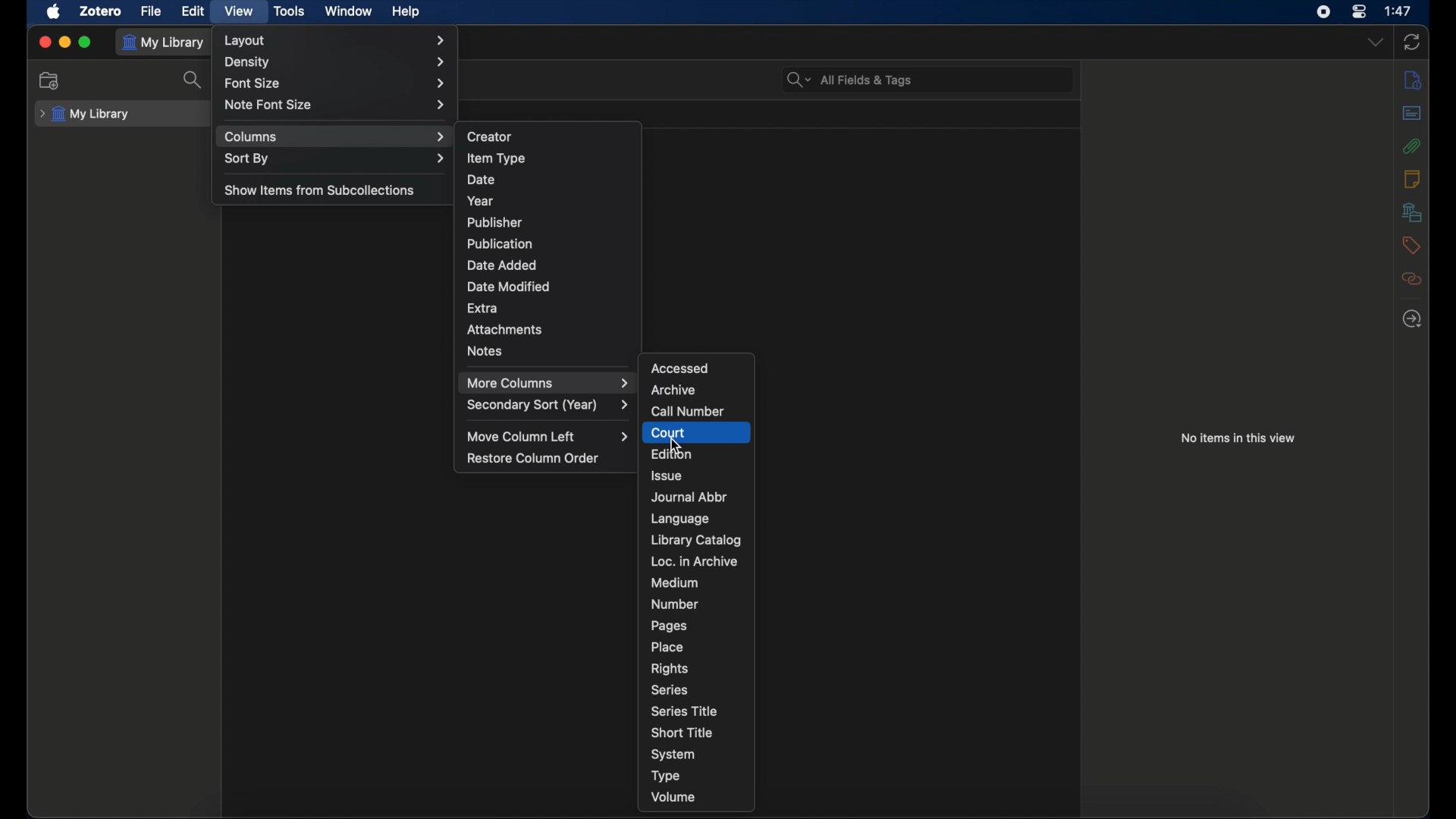 The image size is (1456, 819). What do you see at coordinates (86, 42) in the screenshot?
I see `maximize` at bounding box center [86, 42].